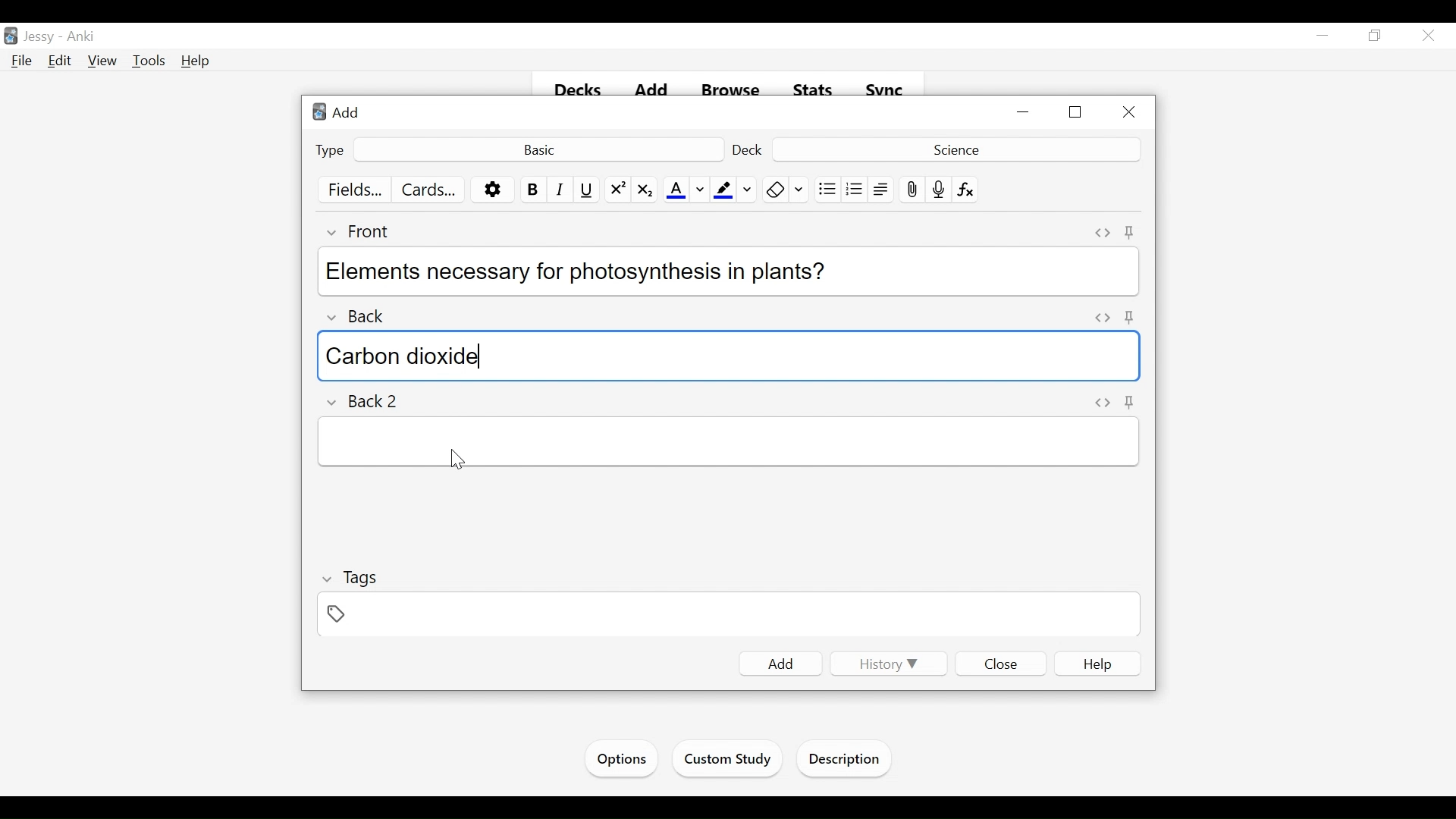 The image size is (1456, 819). I want to click on Anki Desktop Icon, so click(11, 36).